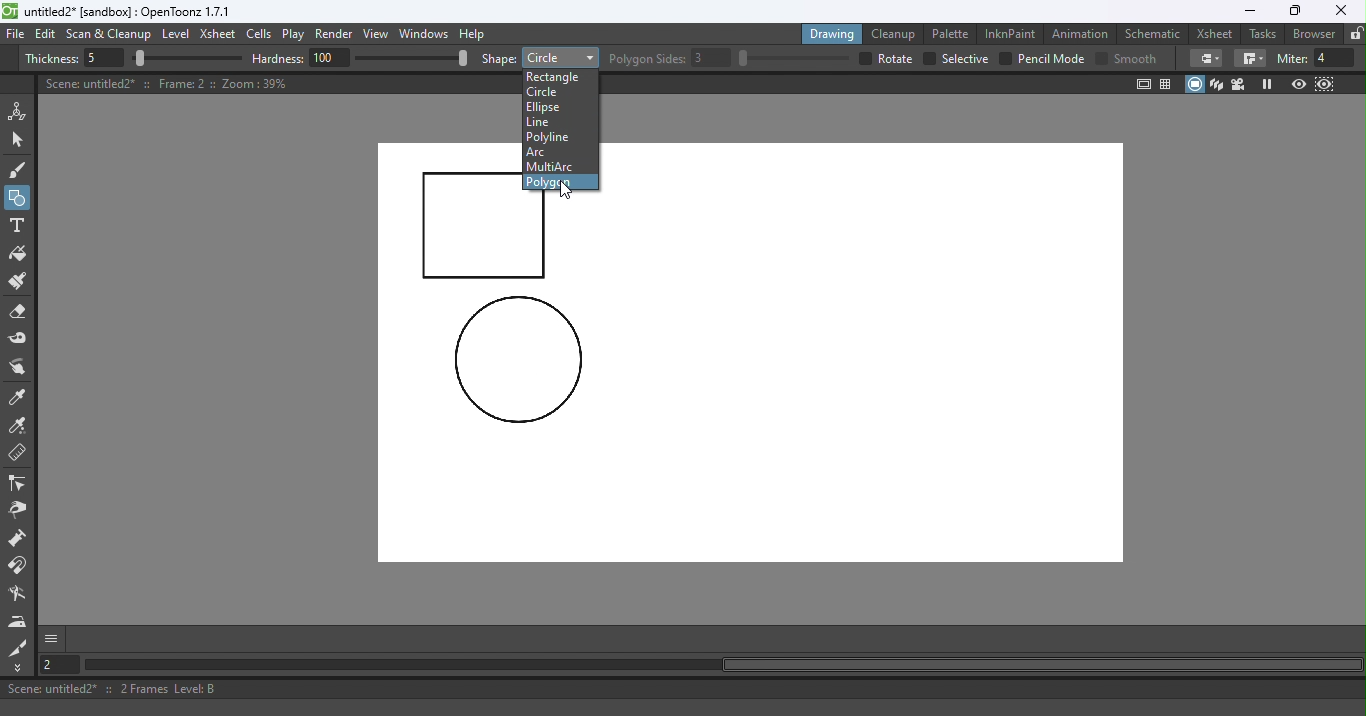 This screenshot has width=1366, height=716. Describe the element at coordinates (129, 12) in the screenshot. I see `File name` at that location.